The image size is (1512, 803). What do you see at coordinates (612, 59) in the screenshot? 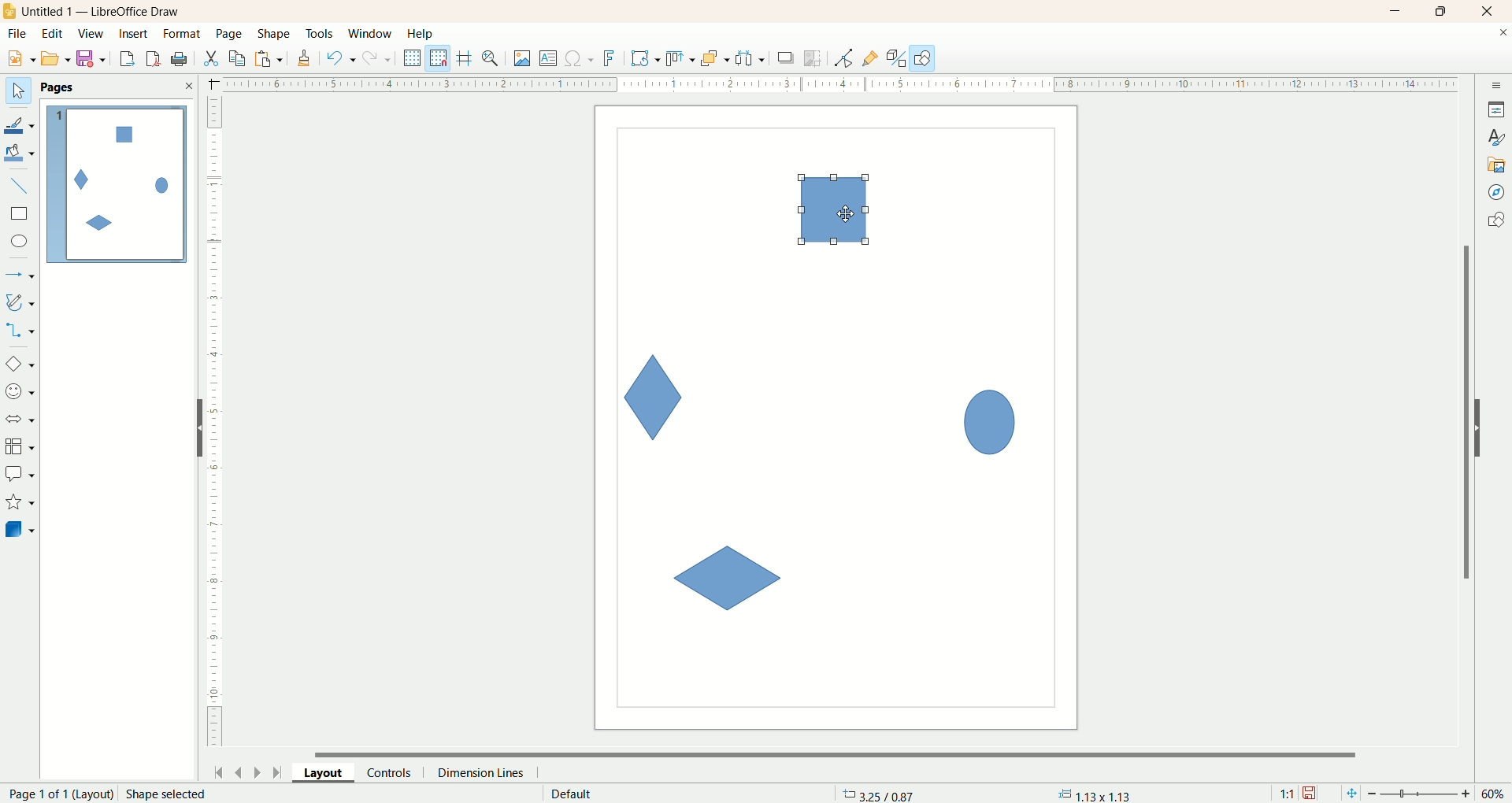
I see `fontwork text` at bounding box center [612, 59].